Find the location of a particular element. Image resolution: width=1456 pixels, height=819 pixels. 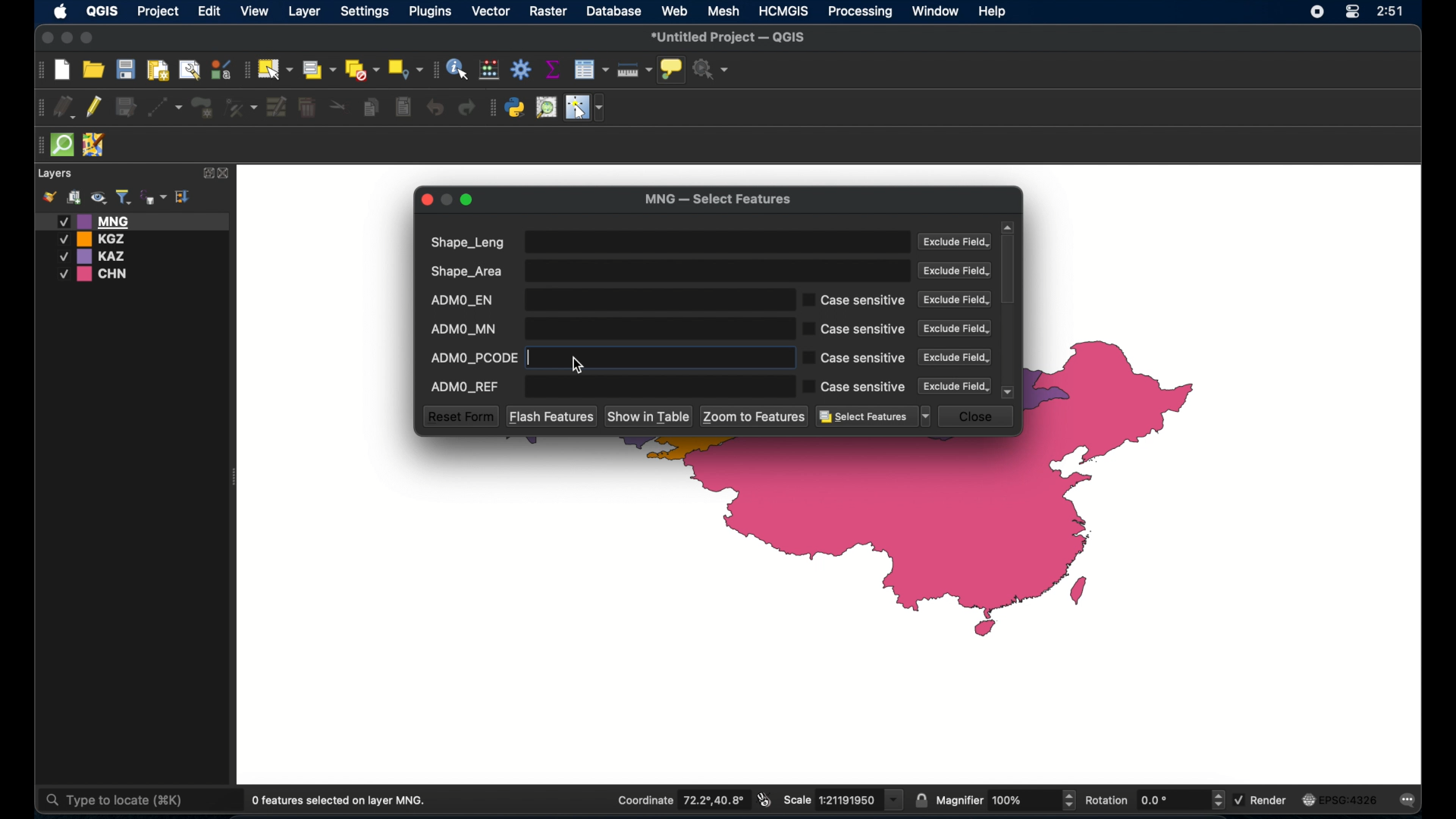

cursor is located at coordinates (580, 364).